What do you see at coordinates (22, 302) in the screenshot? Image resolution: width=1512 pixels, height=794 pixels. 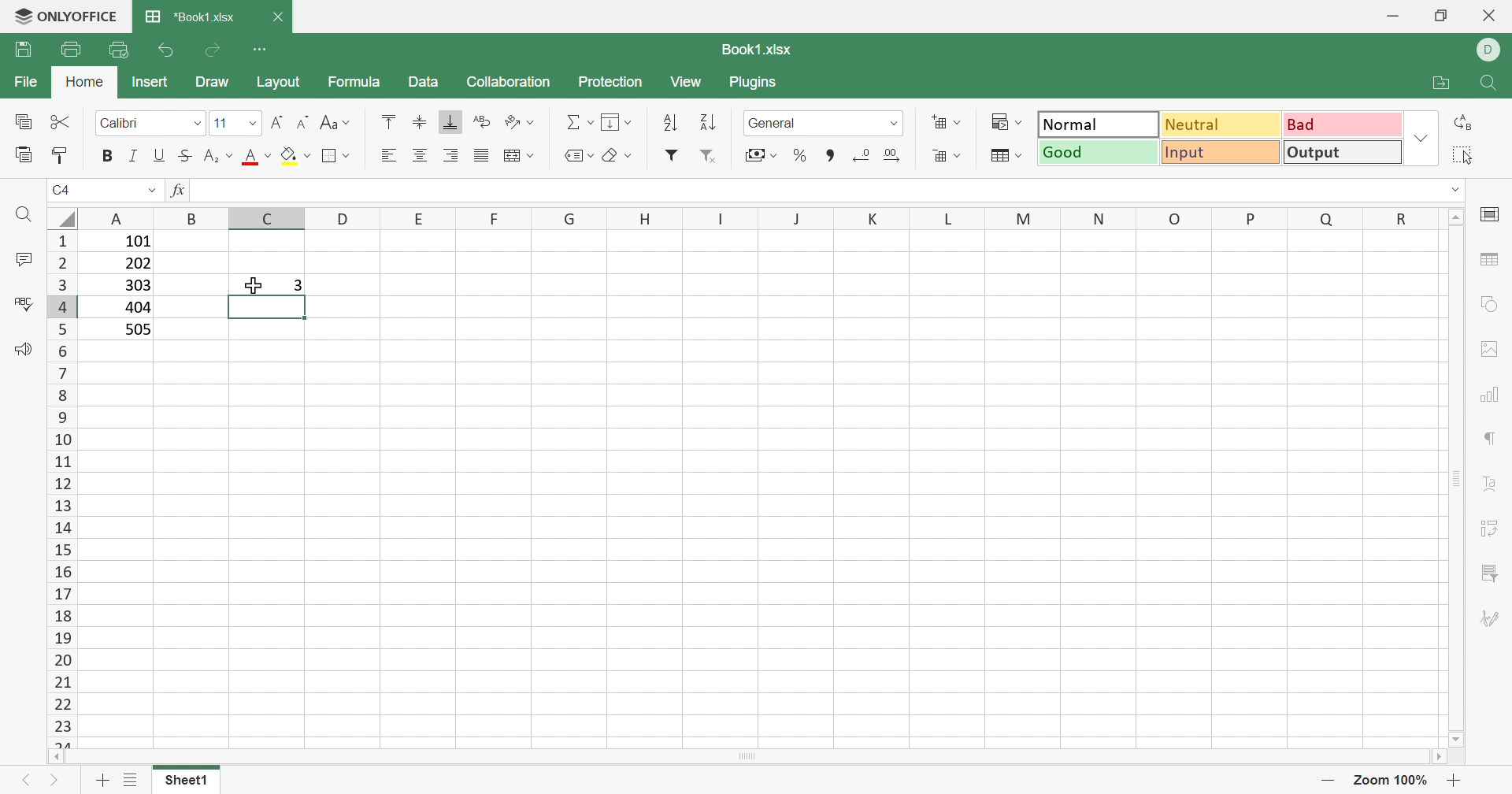 I see `Spell checking` at bounding box center [22, 302].